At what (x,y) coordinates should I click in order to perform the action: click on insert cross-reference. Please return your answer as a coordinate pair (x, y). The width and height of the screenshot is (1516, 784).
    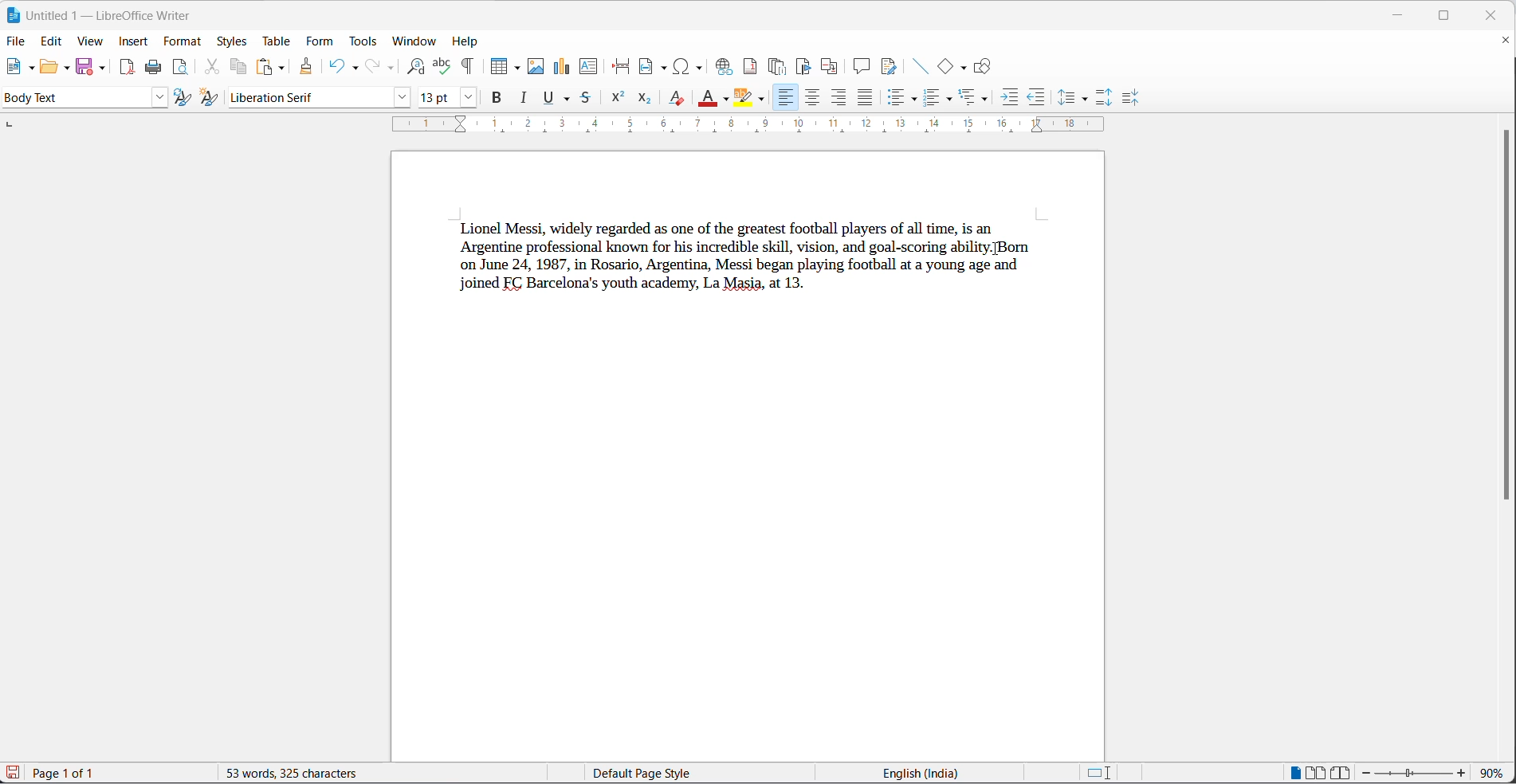
    Looking at the image, I should click on (831, 69).